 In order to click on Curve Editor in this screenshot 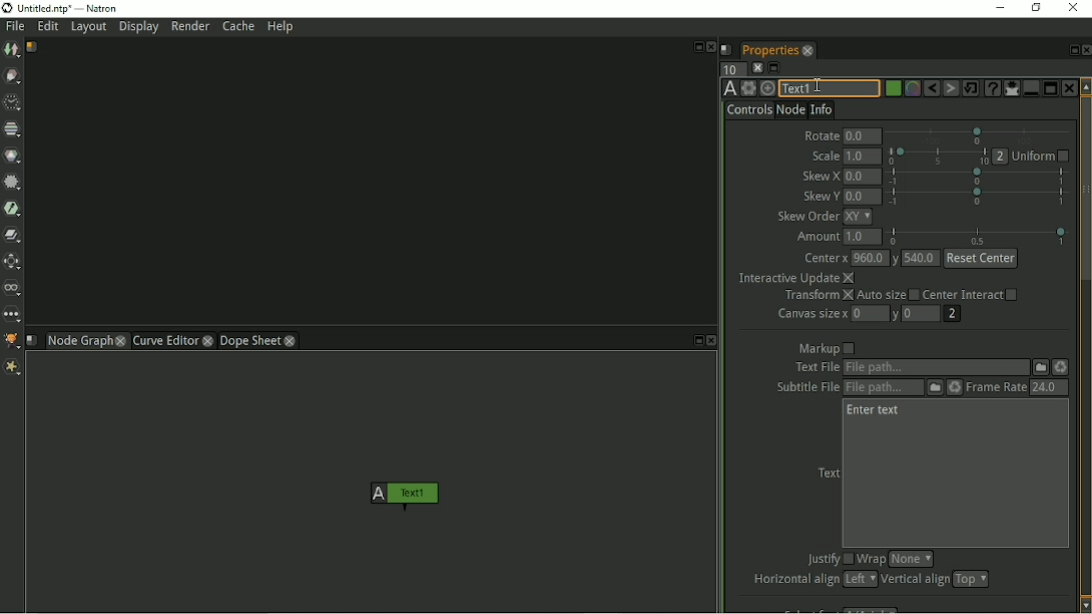, I will do `click(164, 340)`.